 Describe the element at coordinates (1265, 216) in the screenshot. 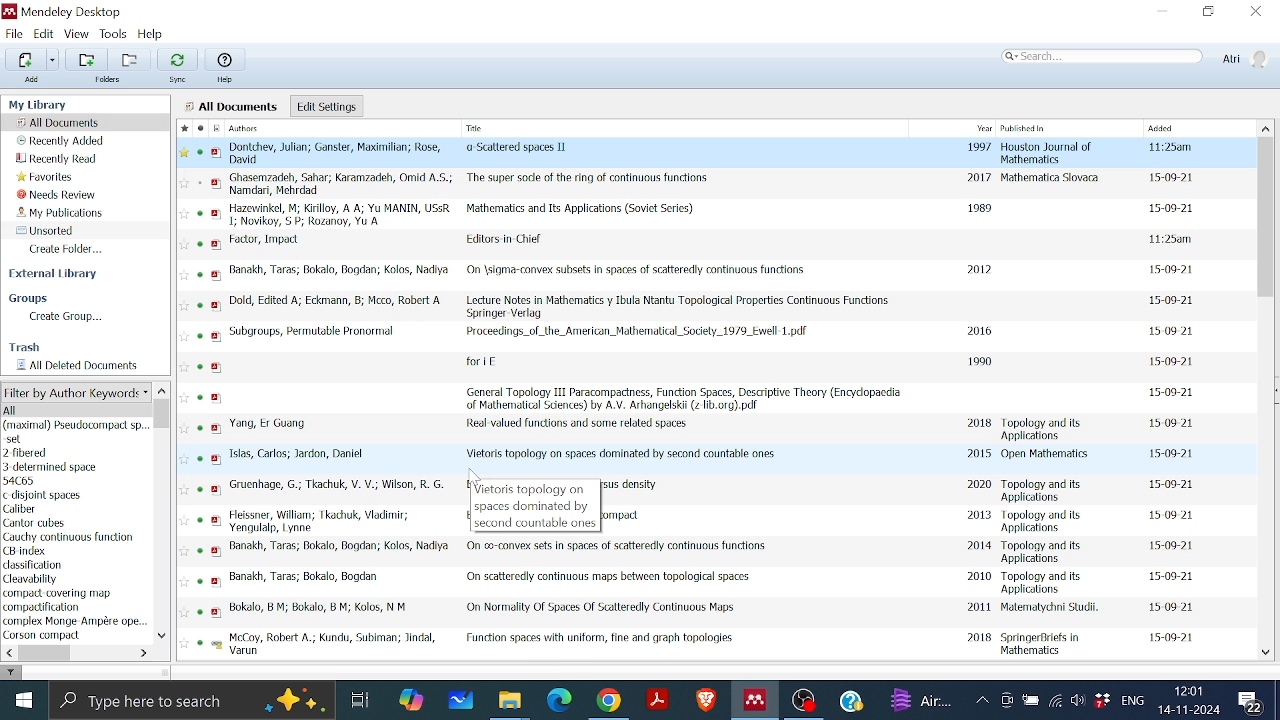

I see `Vertical scrollbar` at that location.